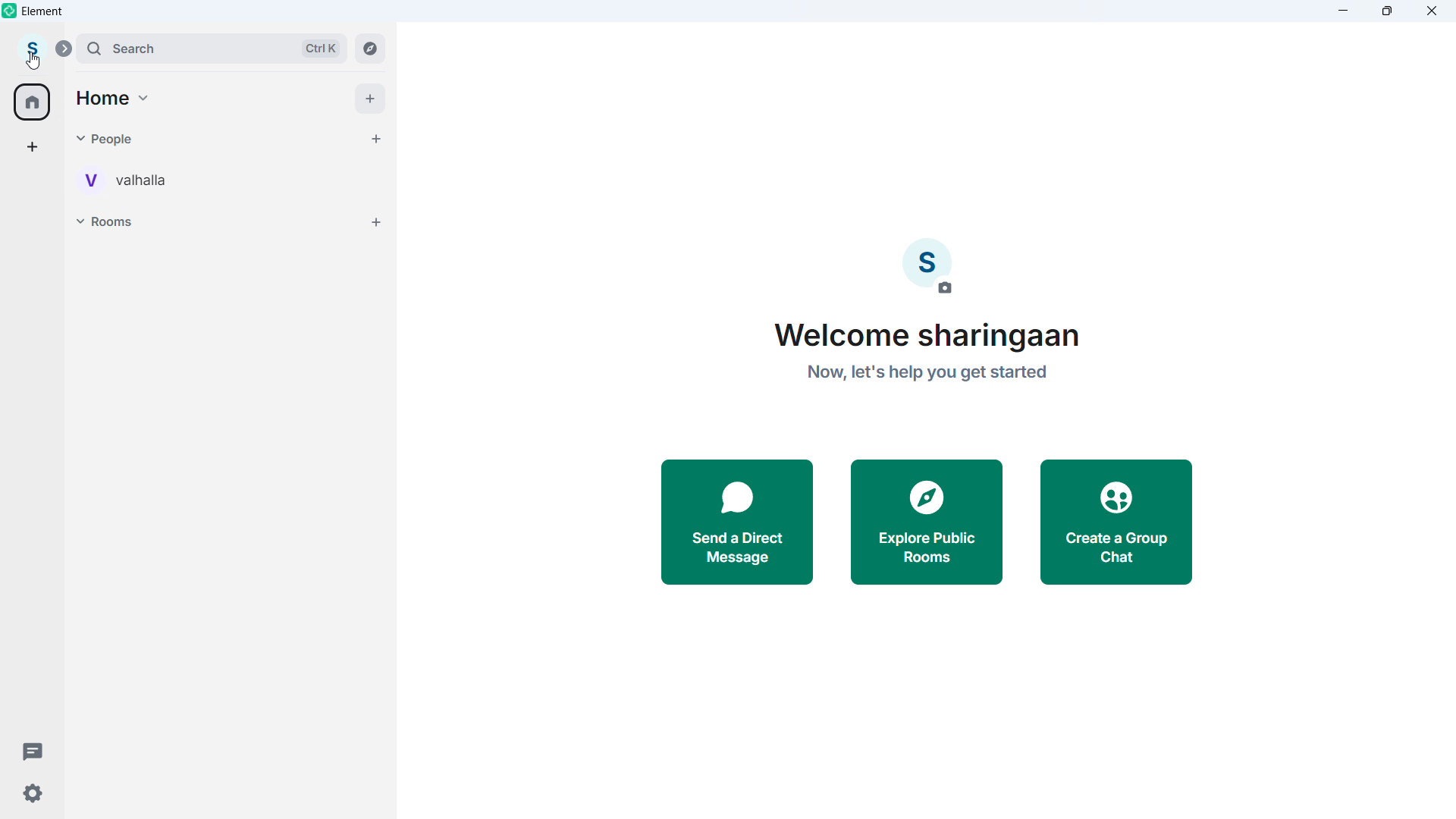 The height and width of the screenshot is (819, 1456). I want to click on Explore rooms , so click(370, 47).